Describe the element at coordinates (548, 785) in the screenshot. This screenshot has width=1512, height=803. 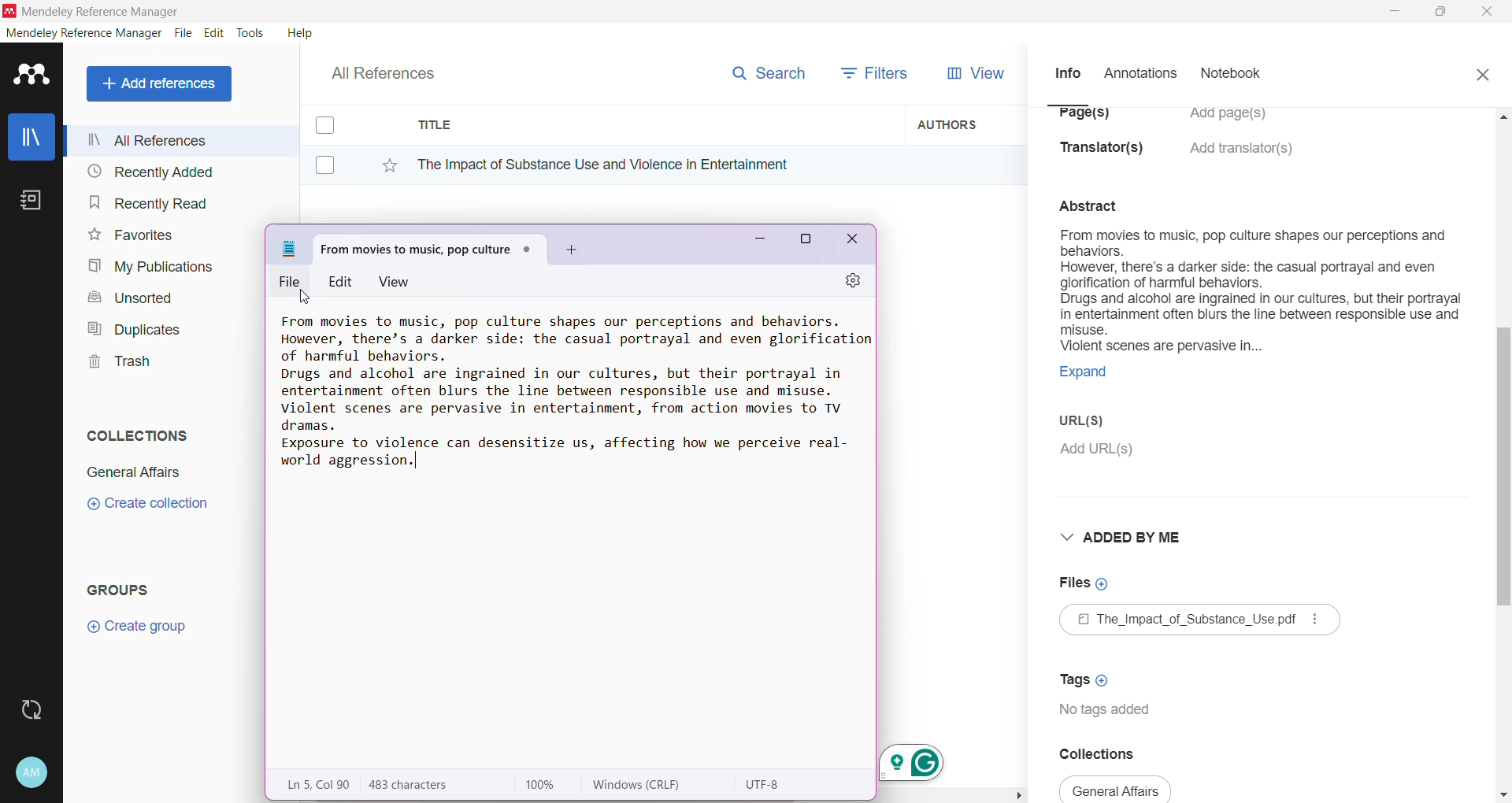
I see `Zoom Level` at that location.